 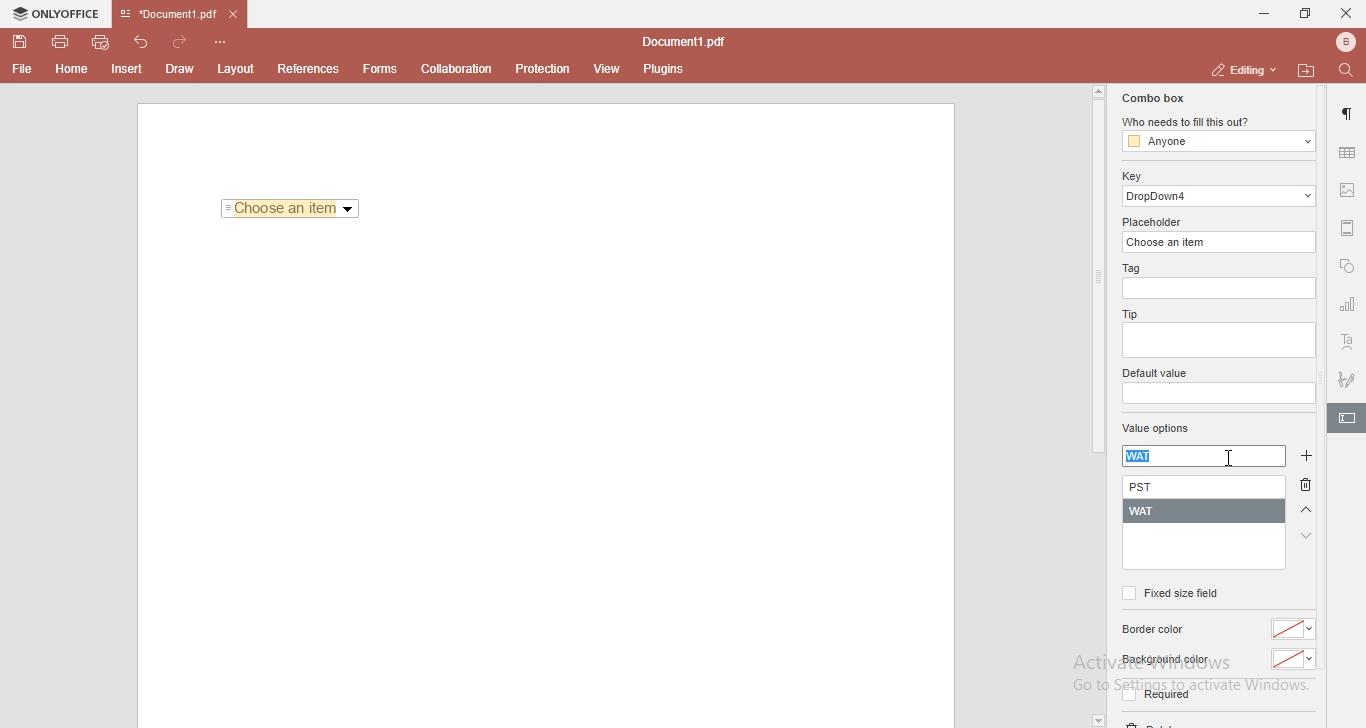 What do you see at coordinates (1217, 394) in the screenshot?
I see `empty box` at bounding box center [1217, 394].